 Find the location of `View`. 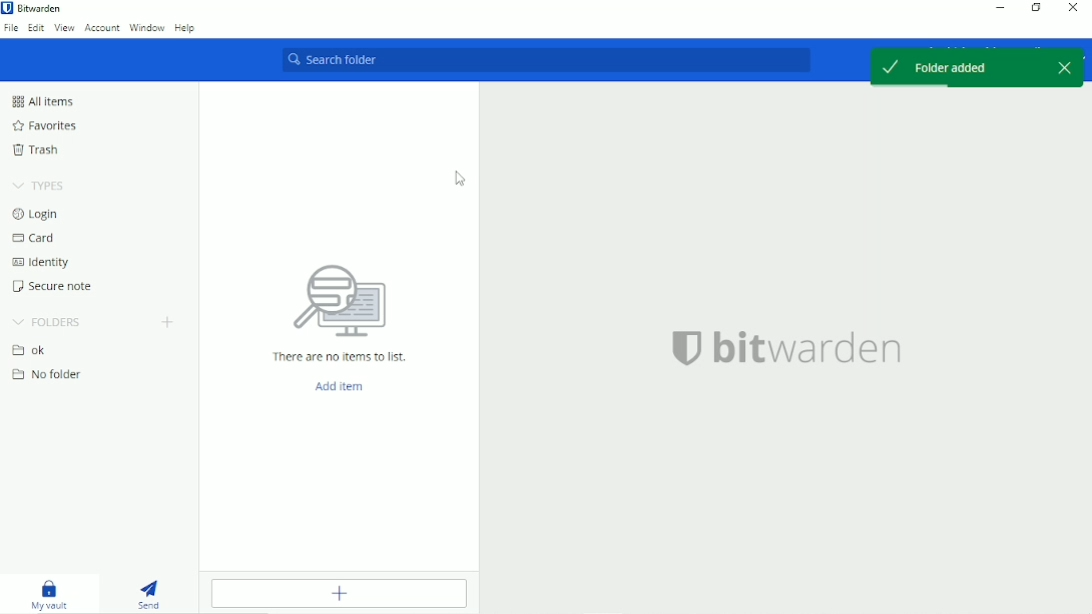

View is located at coordinates (64, 28).